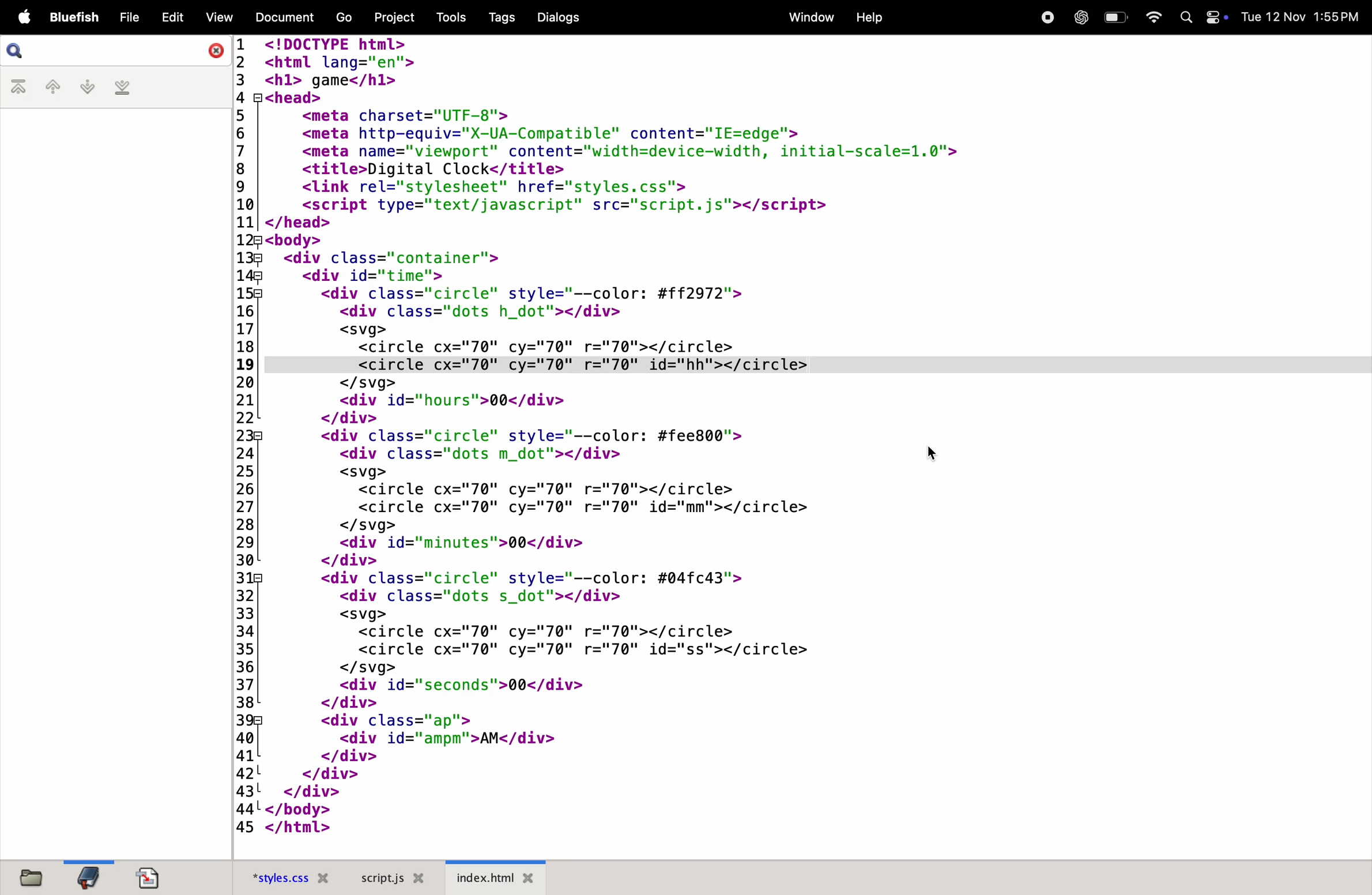  I want to click on cursor, so click(935, 452).